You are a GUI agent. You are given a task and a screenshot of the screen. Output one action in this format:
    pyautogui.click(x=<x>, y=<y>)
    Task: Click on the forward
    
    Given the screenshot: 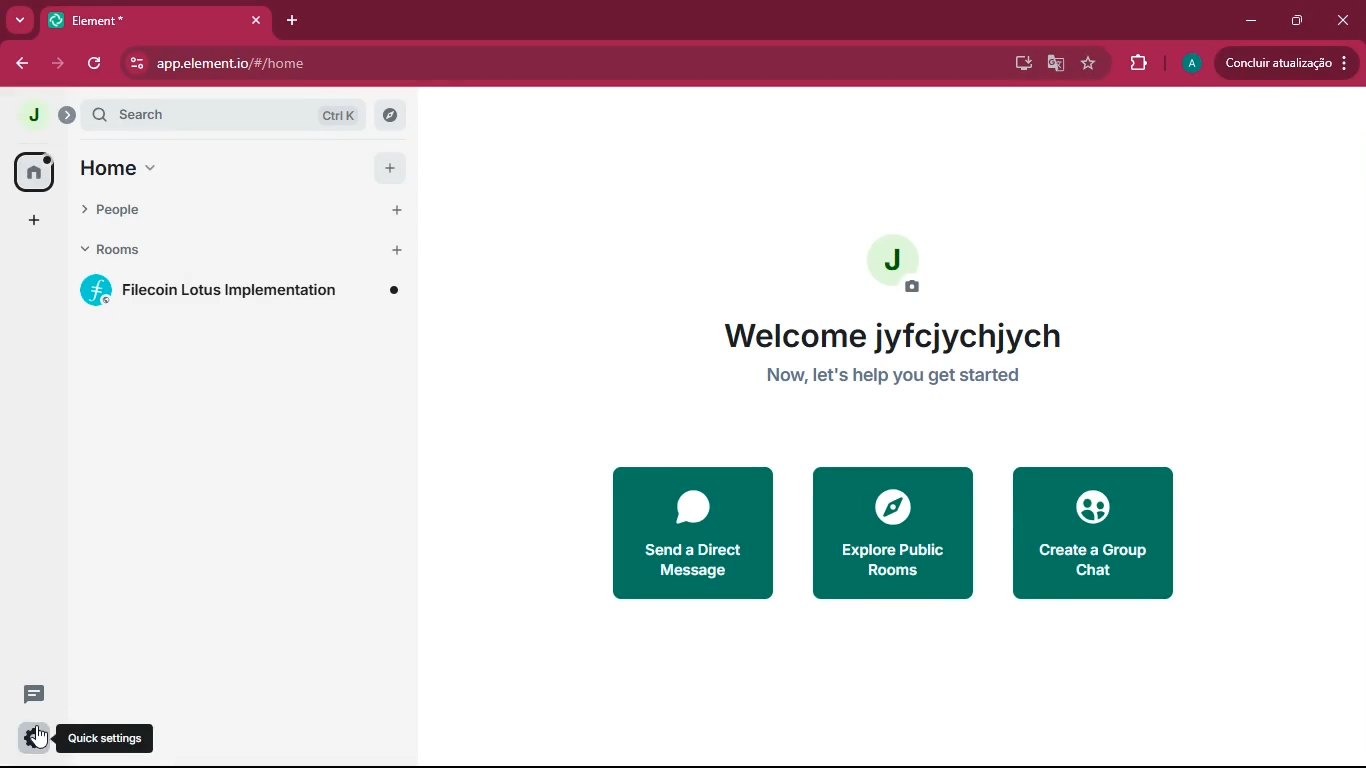 What is the action you would take?
    pyautogui.click(x=58, y=65)
    